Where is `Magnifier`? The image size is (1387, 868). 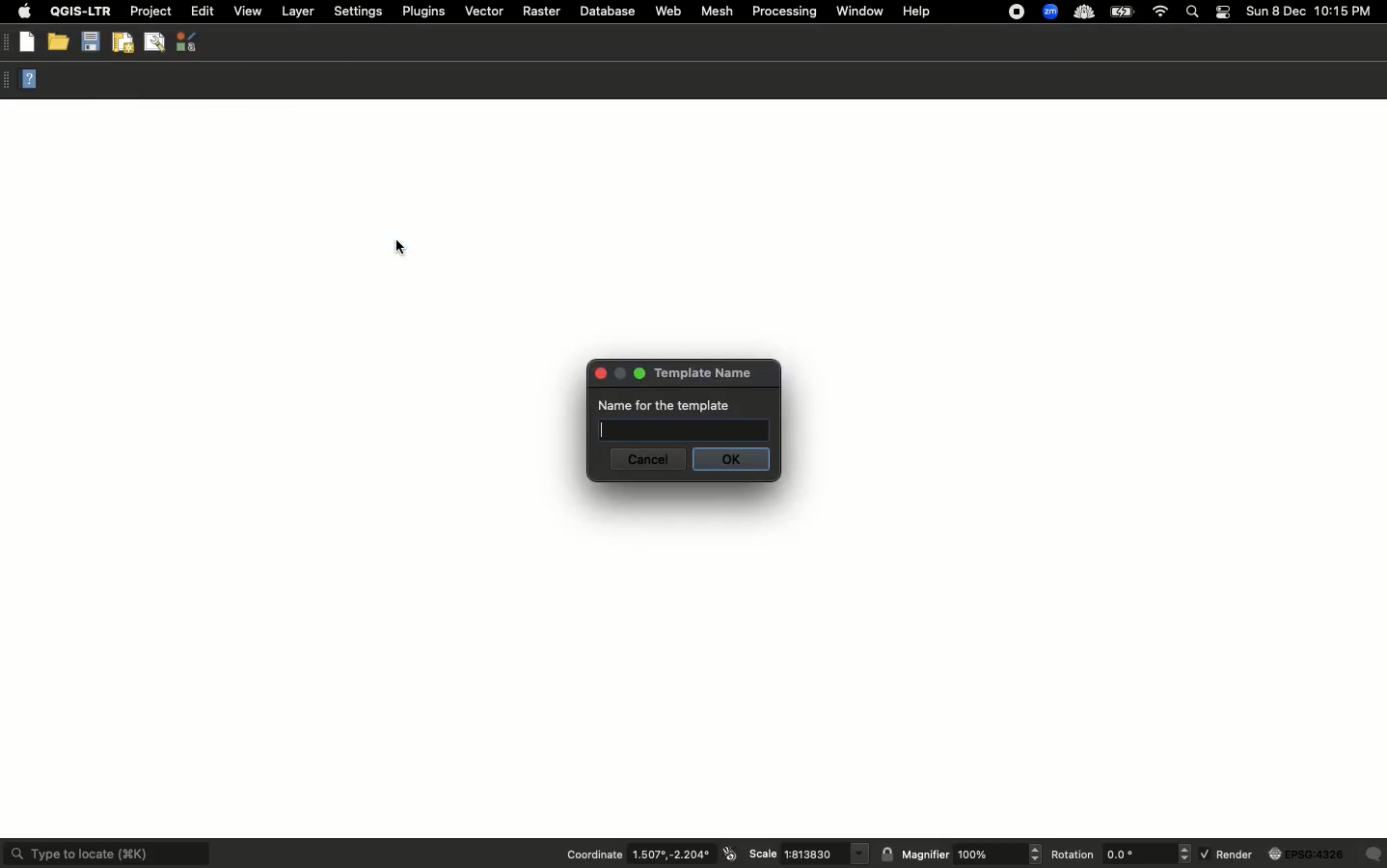
Magnifier is located at coordinates (928, 855).